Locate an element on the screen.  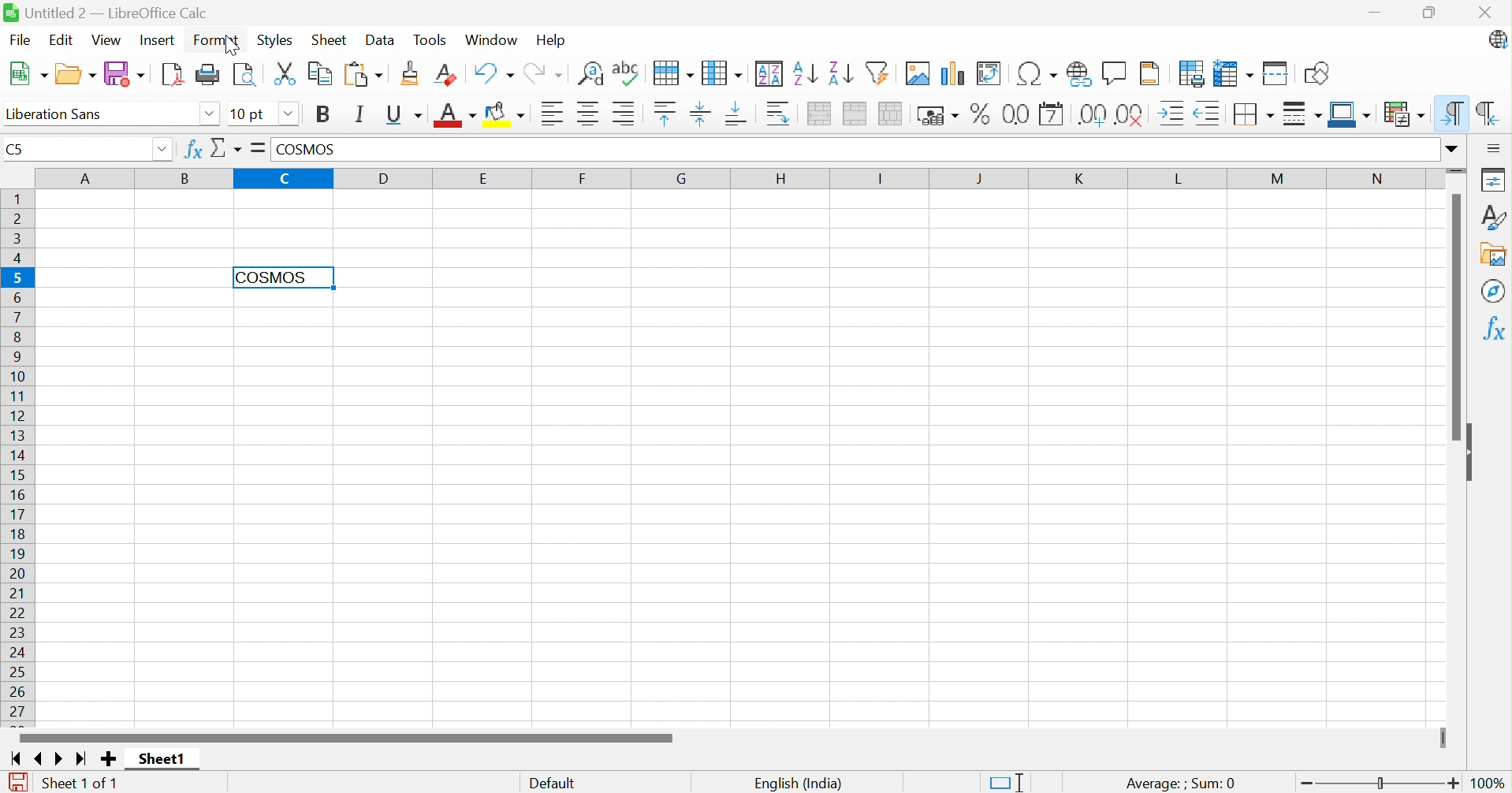
Scroll to next page is located at coordinates (63, 758).